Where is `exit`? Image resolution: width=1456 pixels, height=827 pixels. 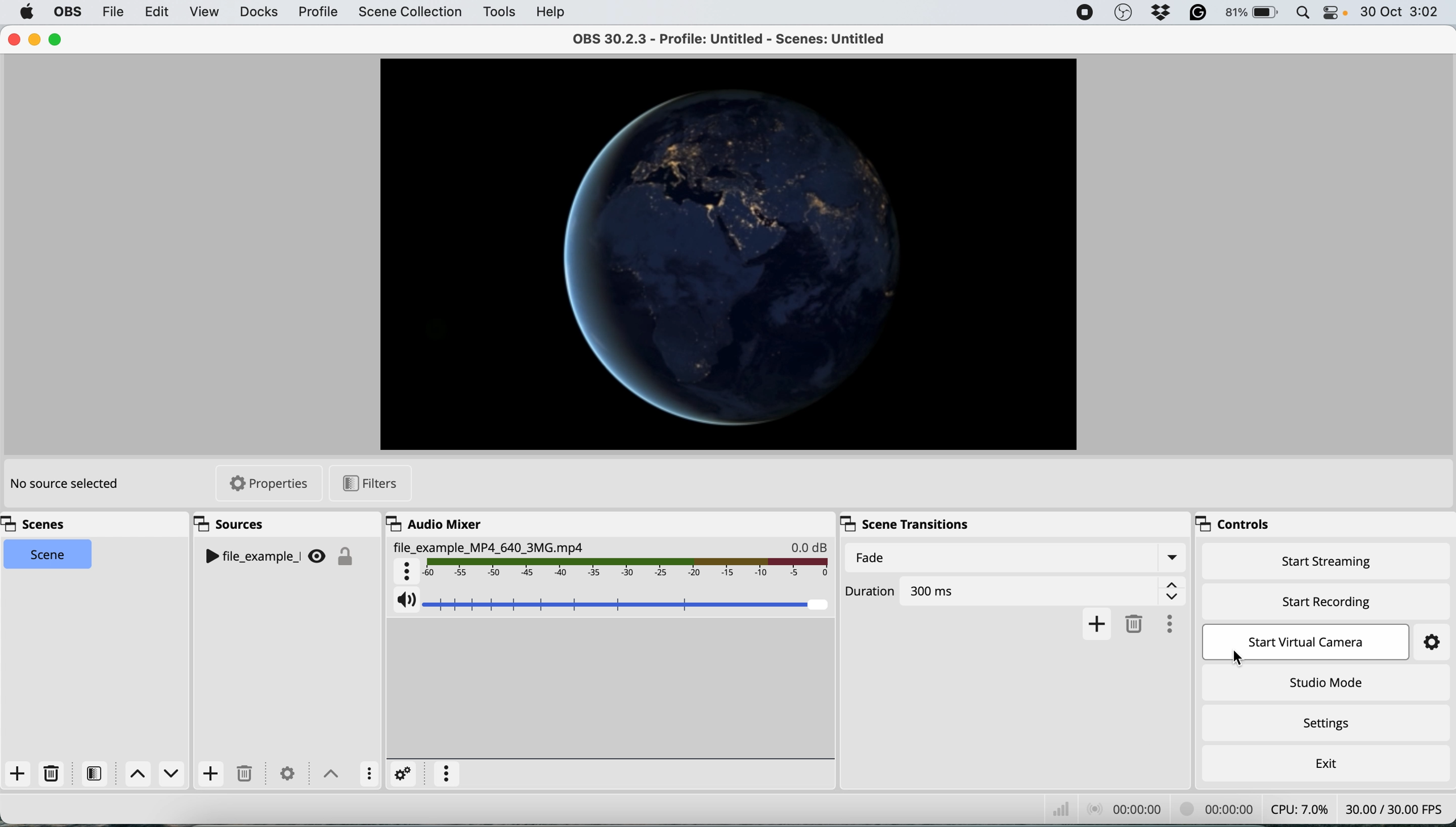 exit is located at coordinates (1330, 765).